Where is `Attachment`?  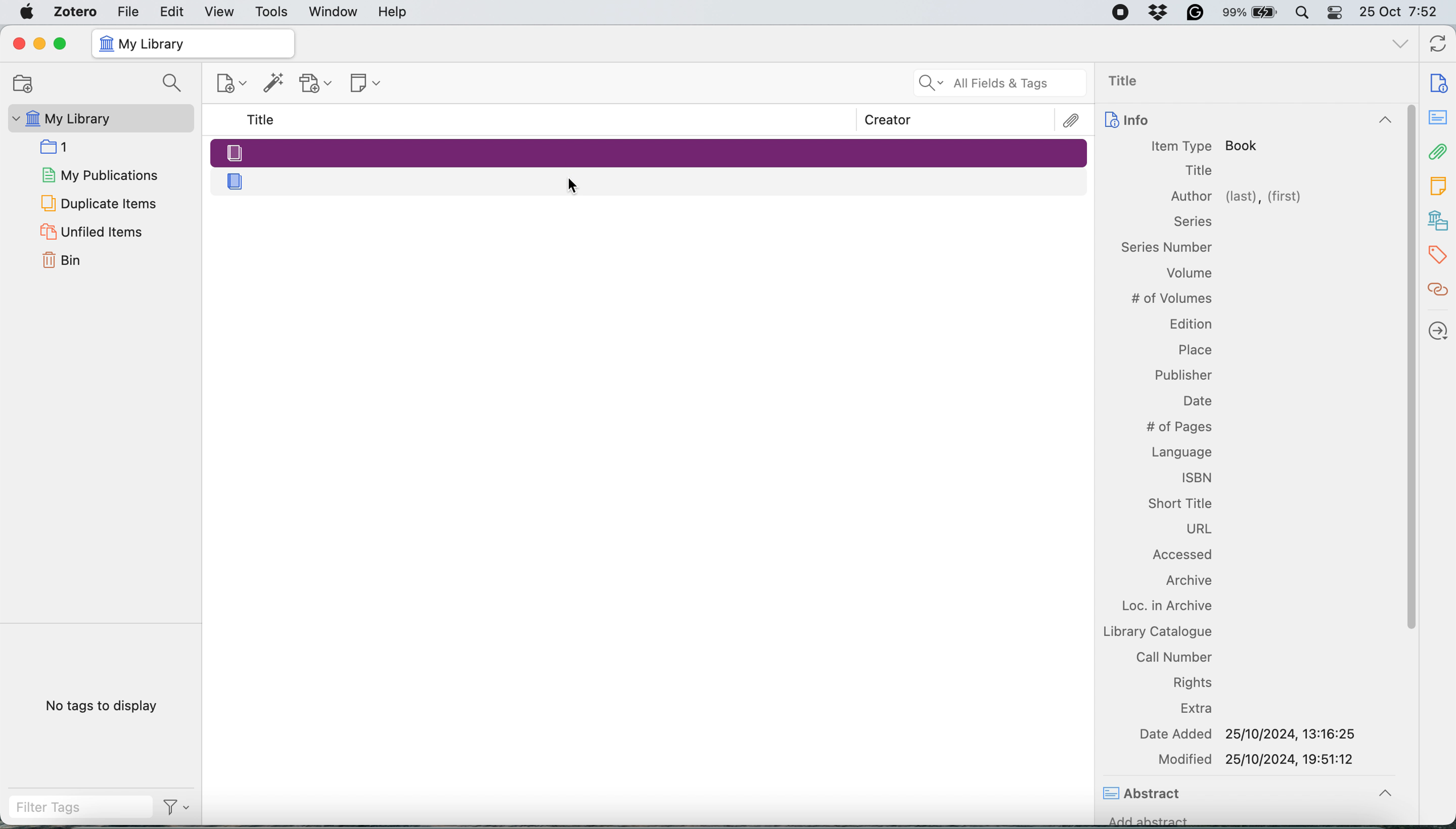 Attachment is located at coordinates (1439, 151).